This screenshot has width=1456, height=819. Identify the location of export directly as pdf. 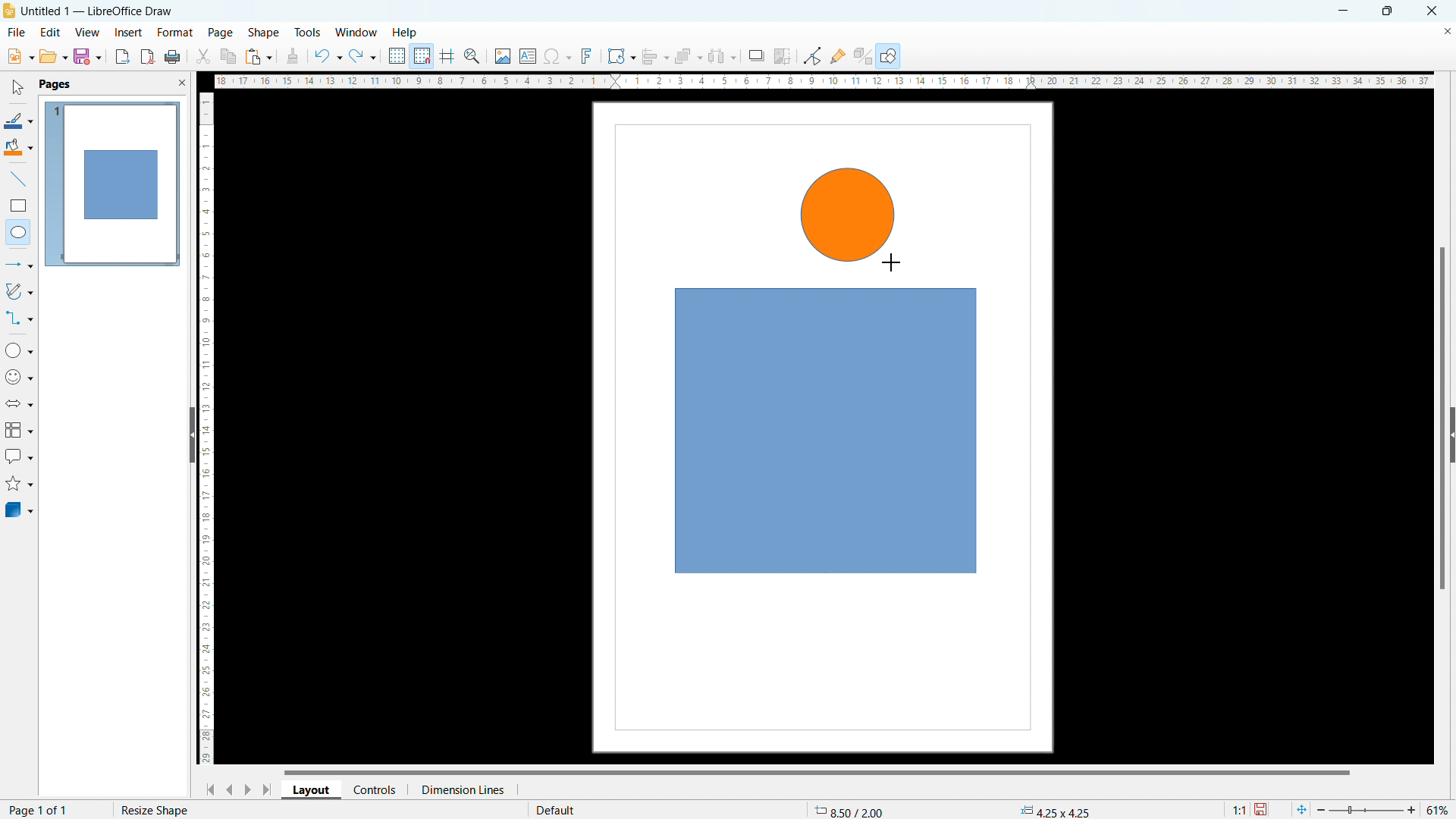
(147, 57).